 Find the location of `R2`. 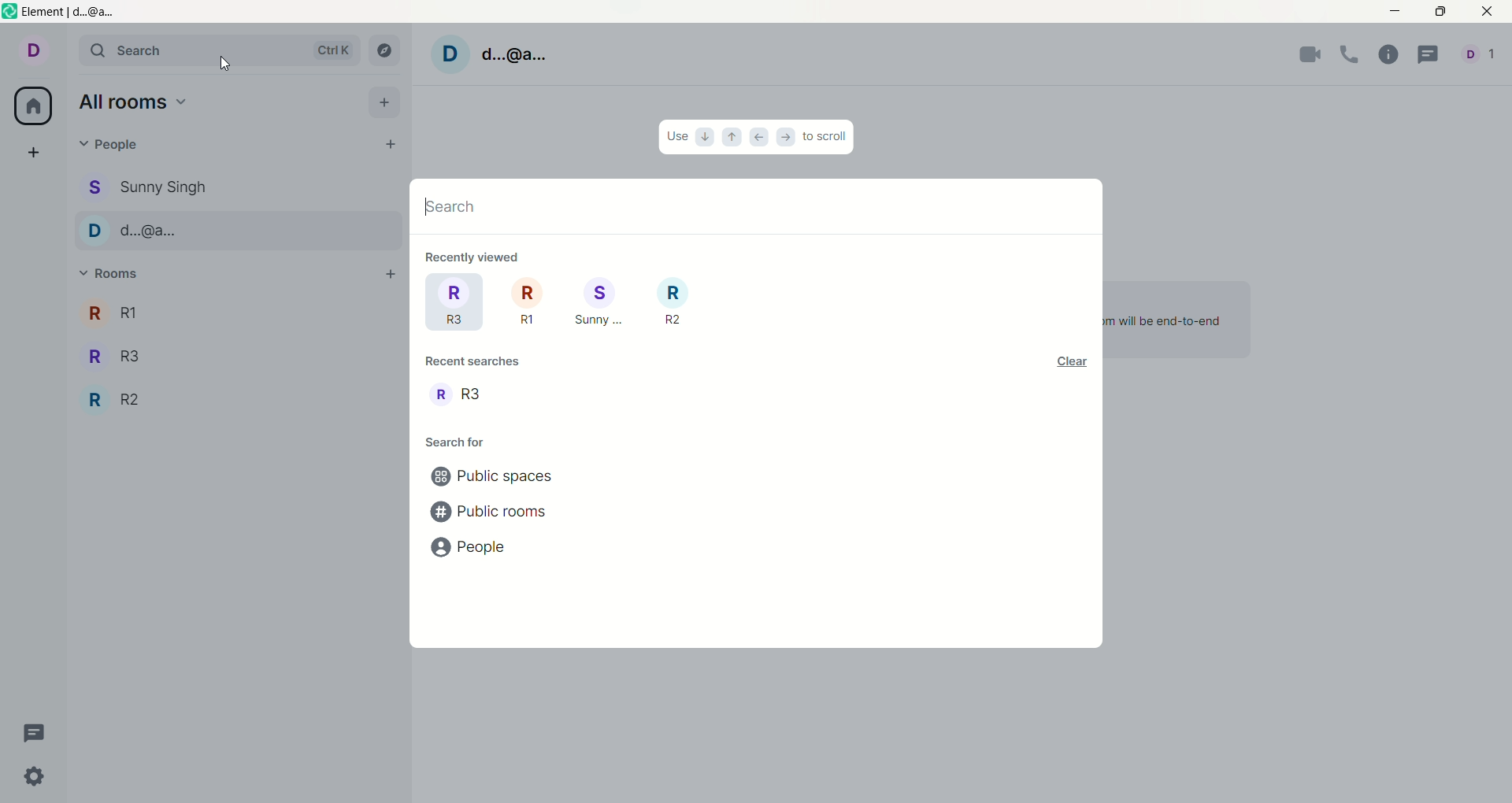

R2 is located at coordinates (117, 399).